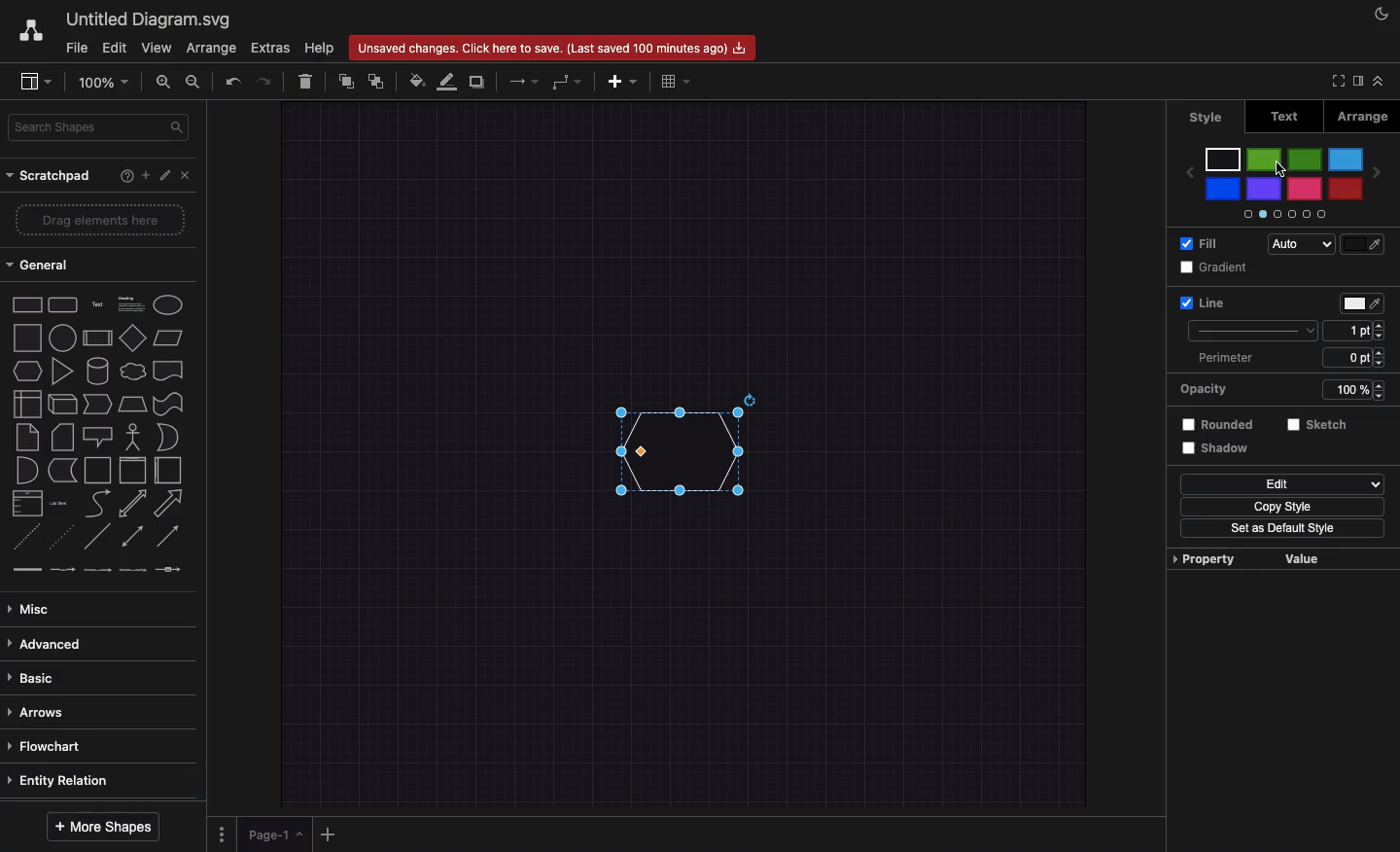 This screenshot has height=852, width=1400. Describe the element at coordinates (569, 82) in the screenshot. I see `Waypoints` at that location.